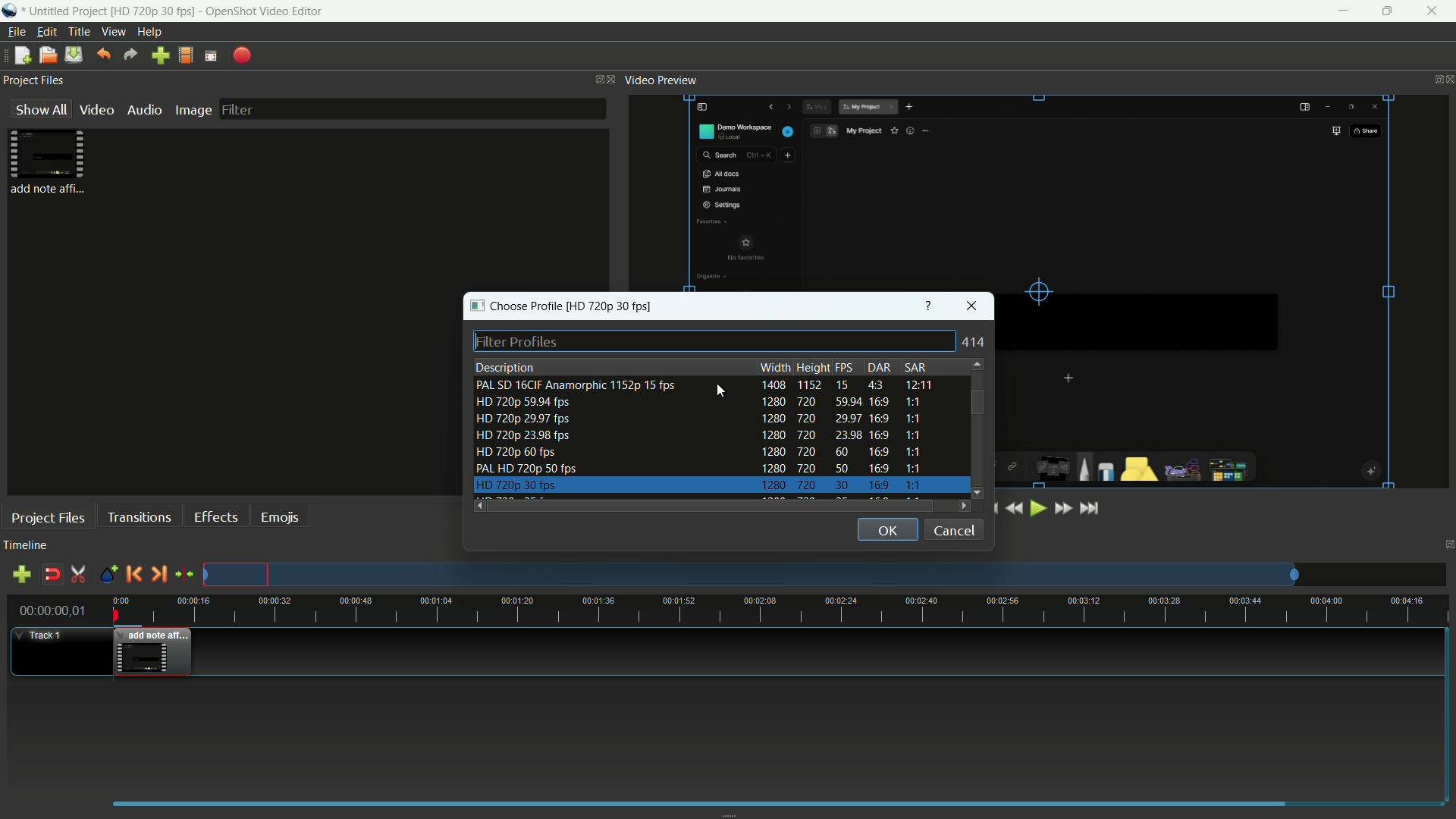  I want to click on image, so click(192, 111).